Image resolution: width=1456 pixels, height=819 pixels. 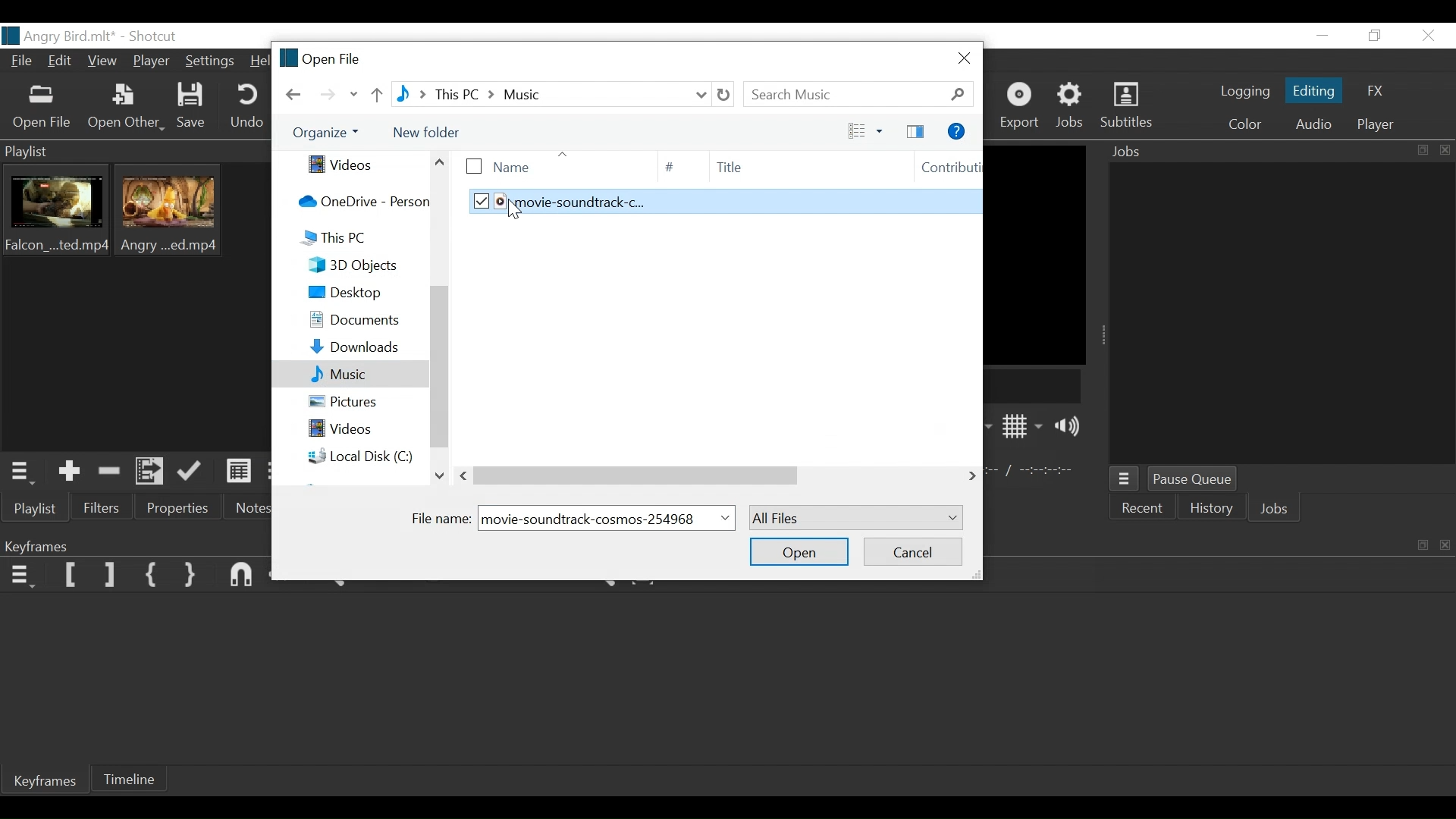 I want to click on Pictures, so click(x=350, y=400).